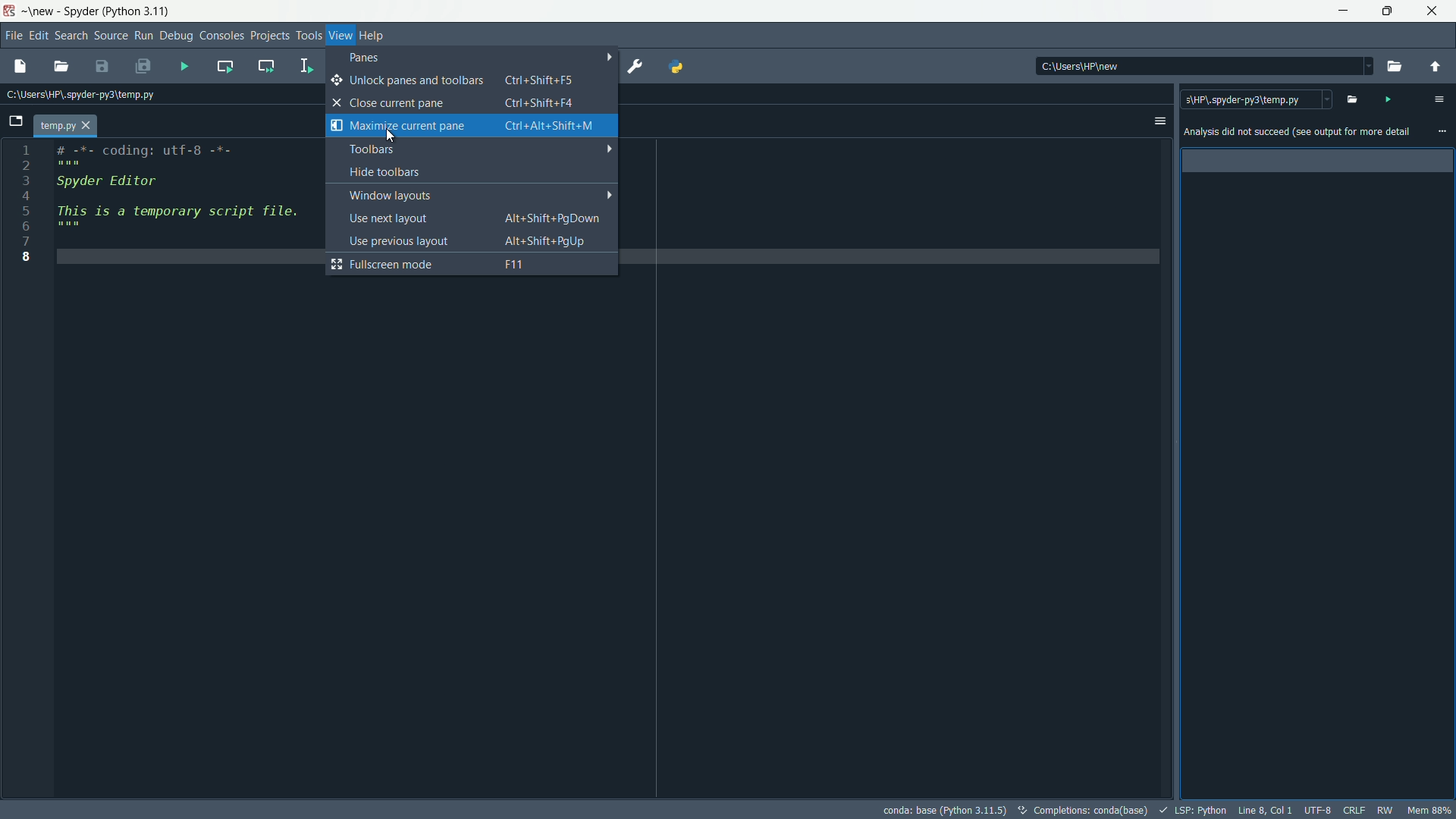  I want to click on Analysis did not succeed (see output for more details), so click(1296, 133).